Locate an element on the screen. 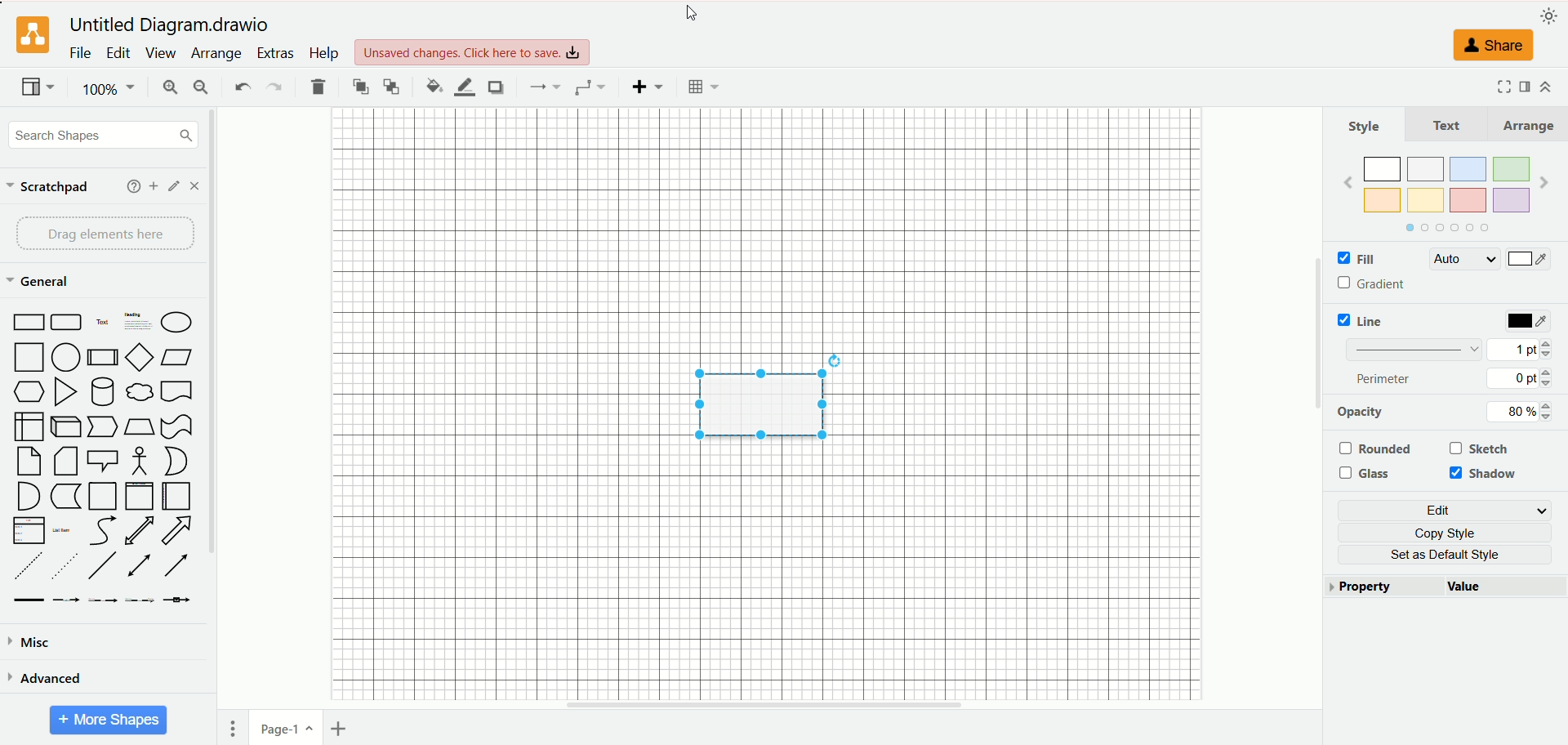 The image size is (1568, 745). auto is located at coordinates (1463, 259).